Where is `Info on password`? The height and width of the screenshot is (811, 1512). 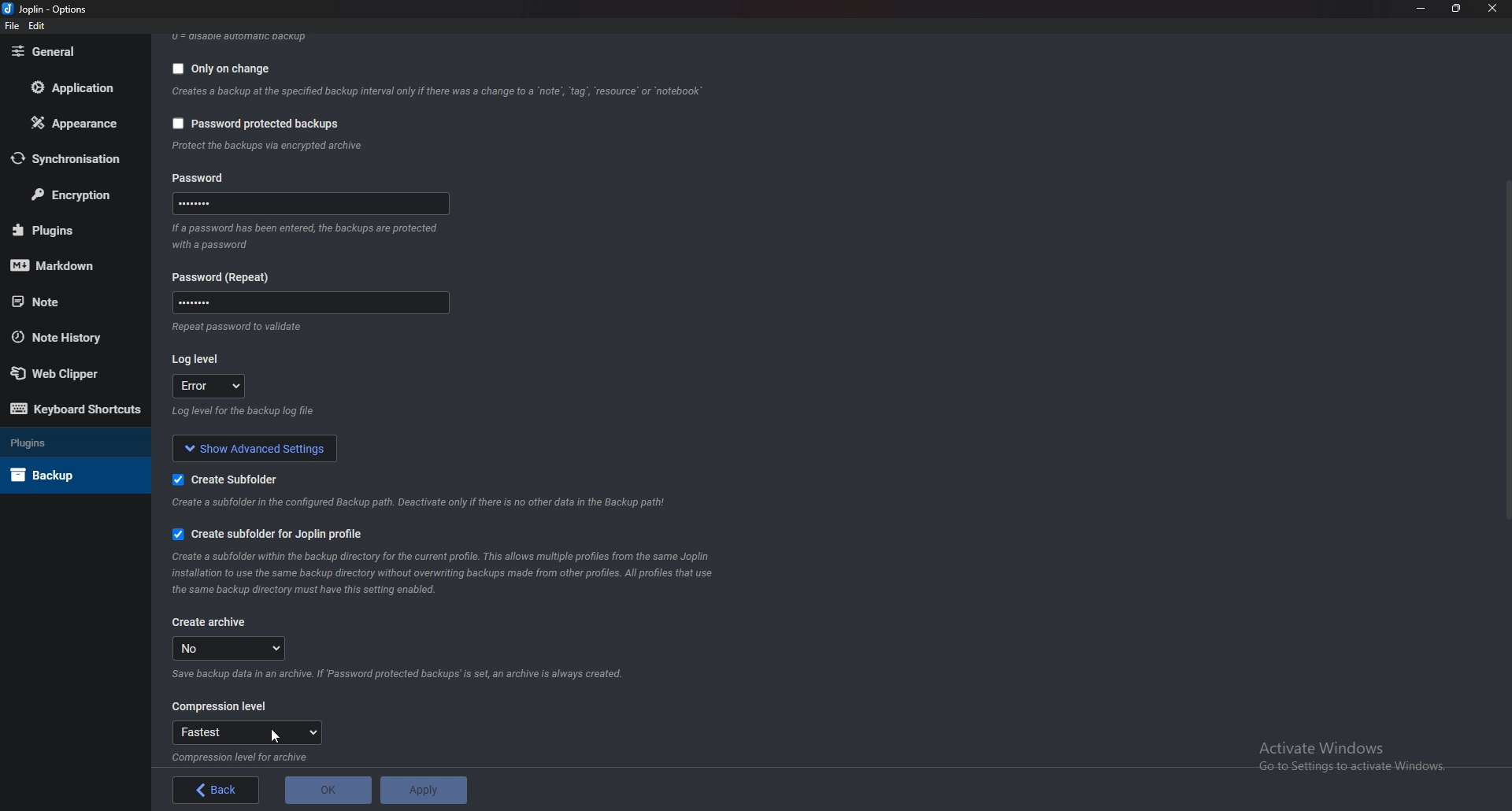
Info on password is located at coordinates (306, 239).